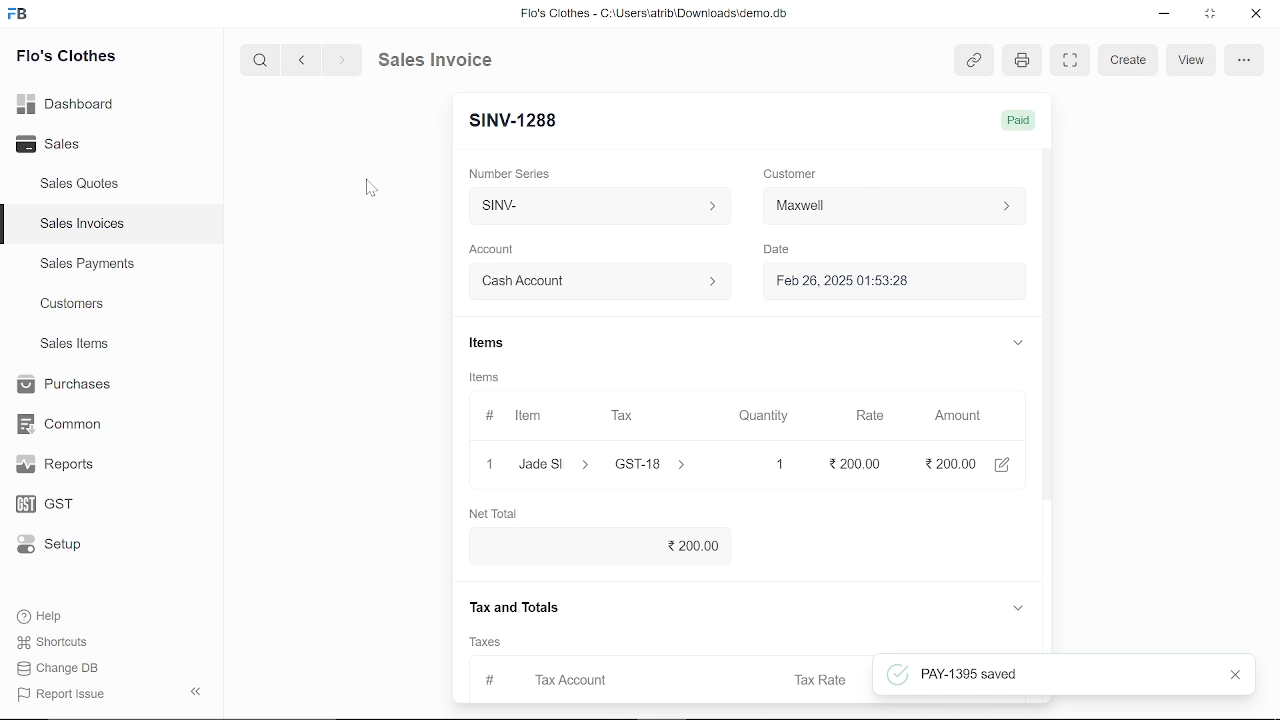  I want to click on vertical scrollbar, so click(1050, 355).